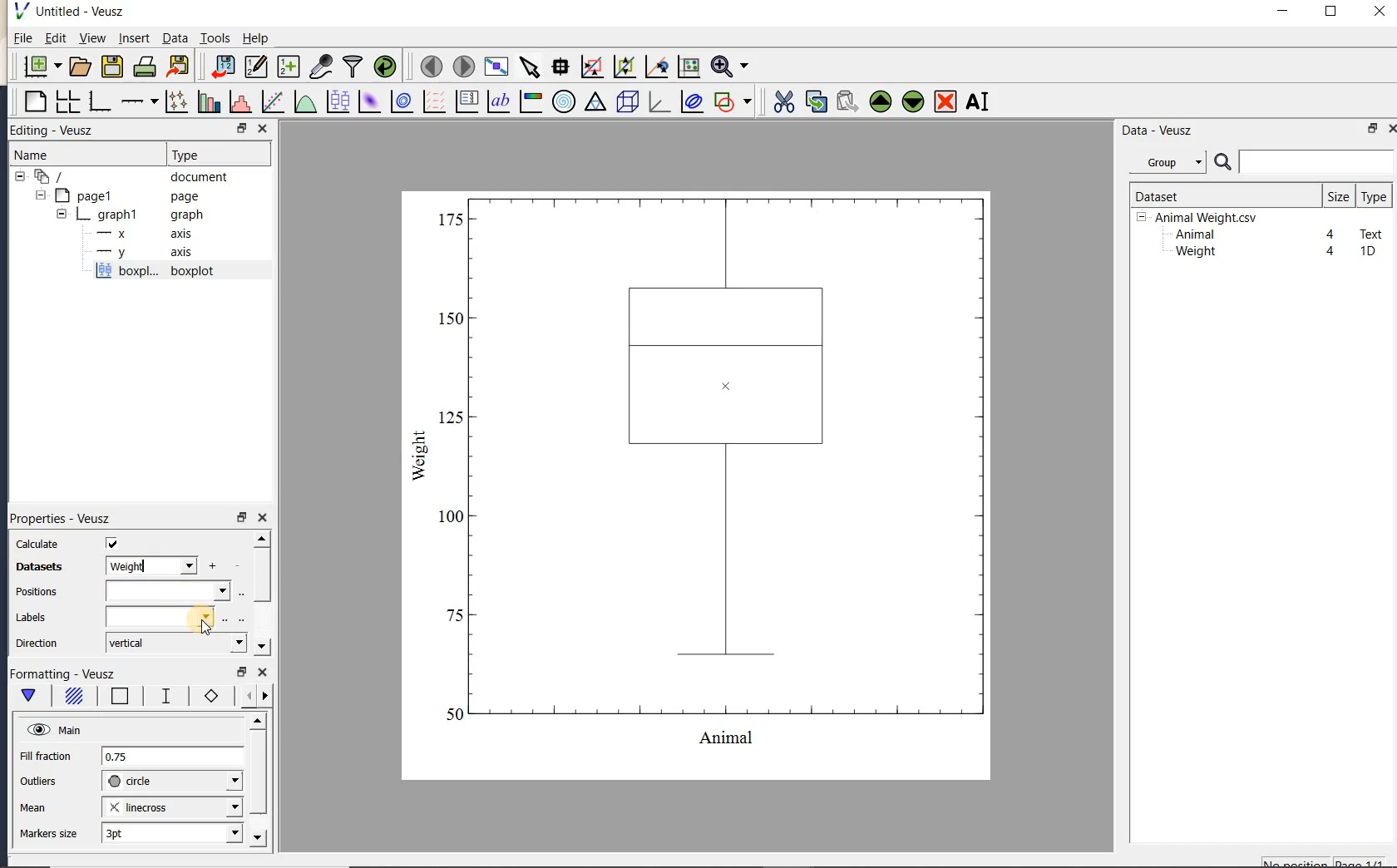 The height and width of the screenshot is (868, 1397). Describe the element at coordinates (782, 102) in the screenshot. I see `cut the selected widget` at that location.